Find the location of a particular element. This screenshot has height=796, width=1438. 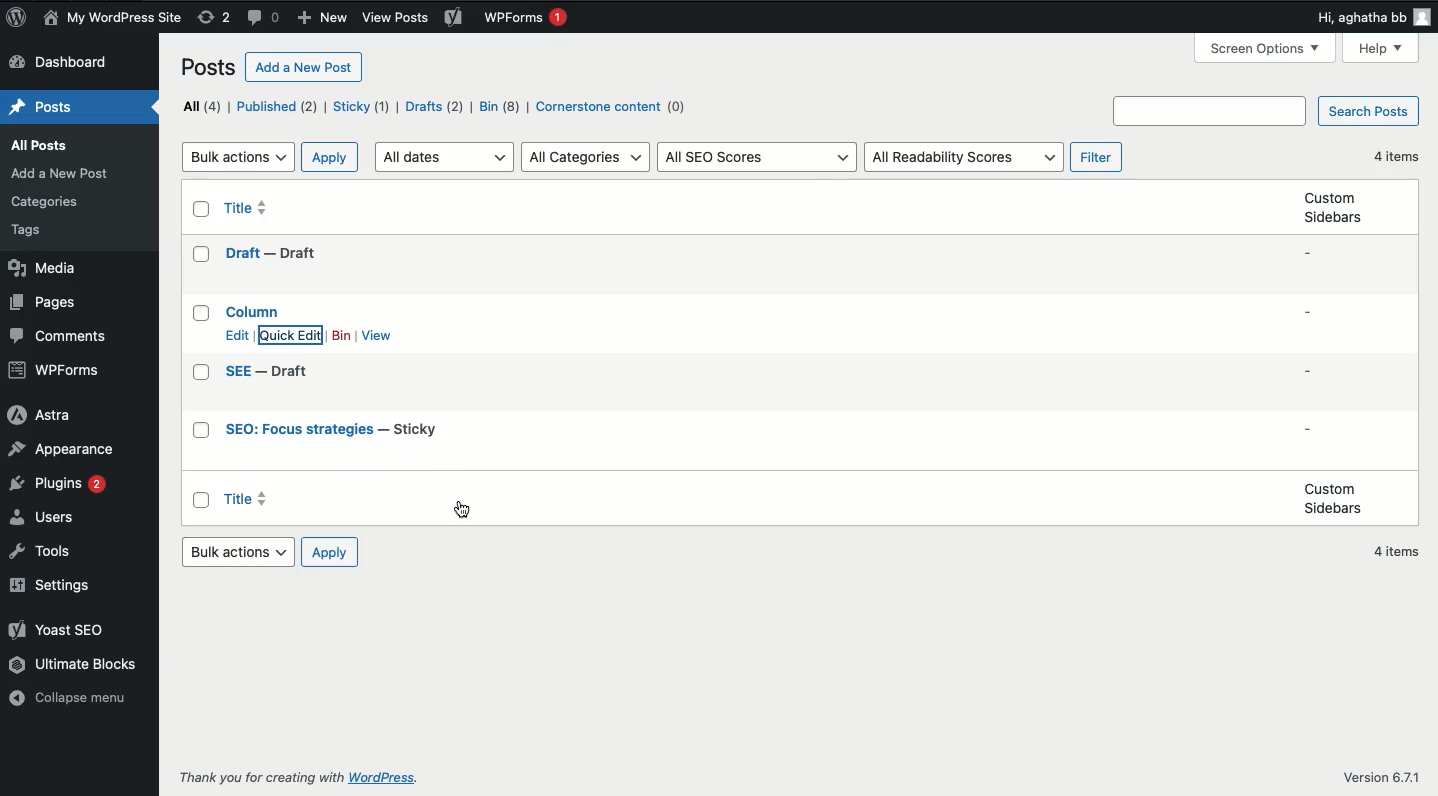

Bin is located at coordinates (500, 108).